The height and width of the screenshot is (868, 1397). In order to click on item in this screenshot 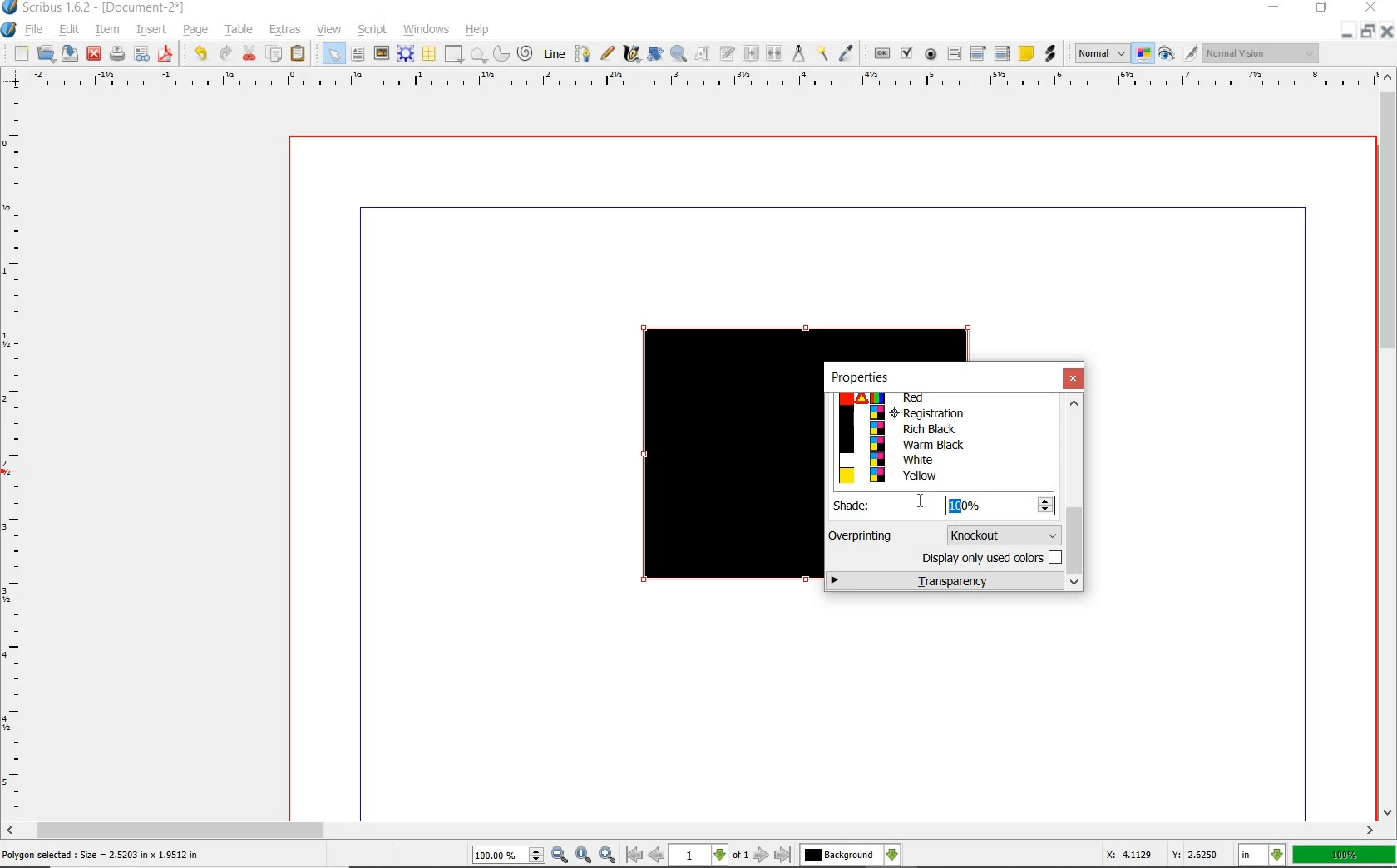, I will do `click(109, 29)`.